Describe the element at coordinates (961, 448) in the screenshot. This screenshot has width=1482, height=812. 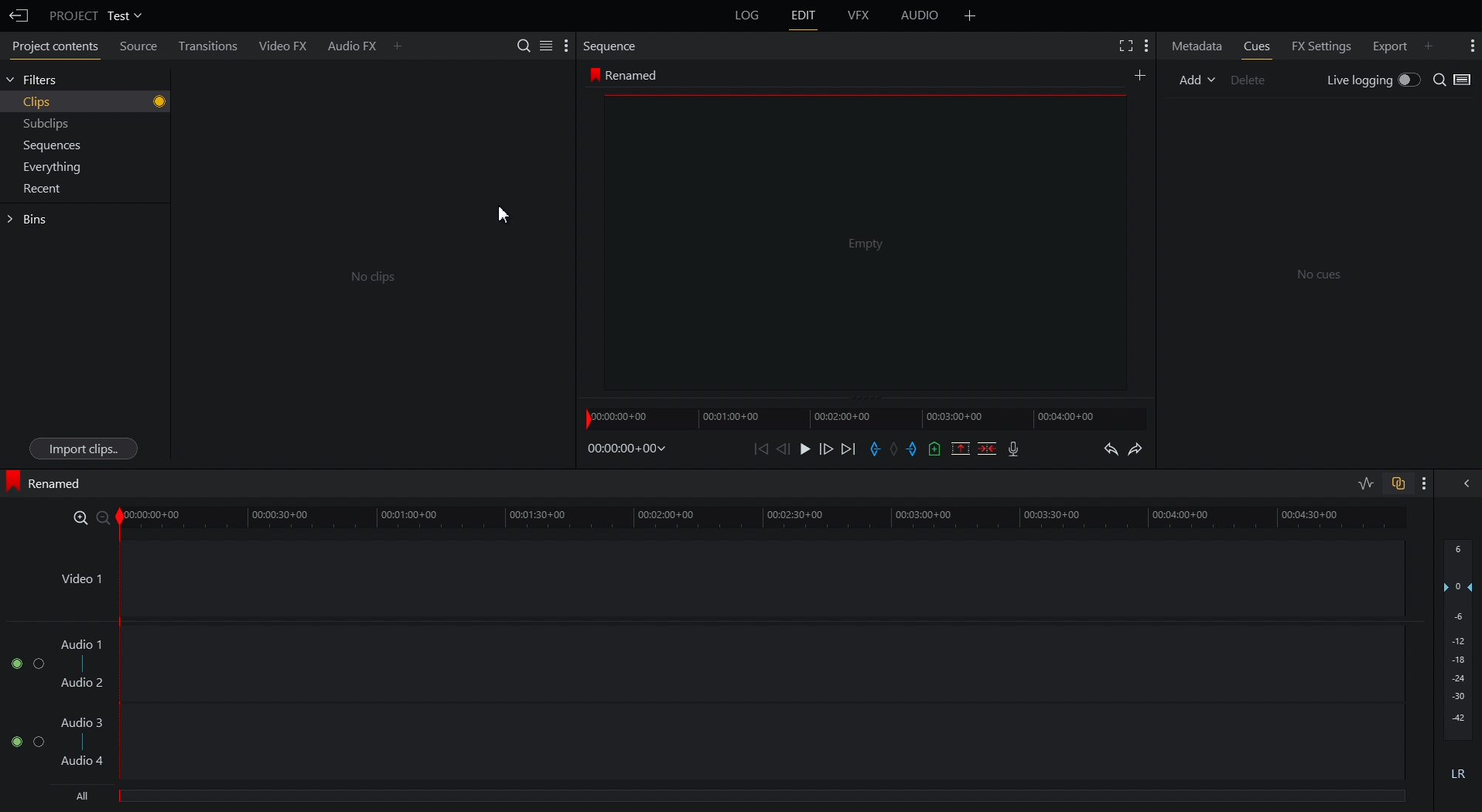
I see `Remove marked section` at that location.